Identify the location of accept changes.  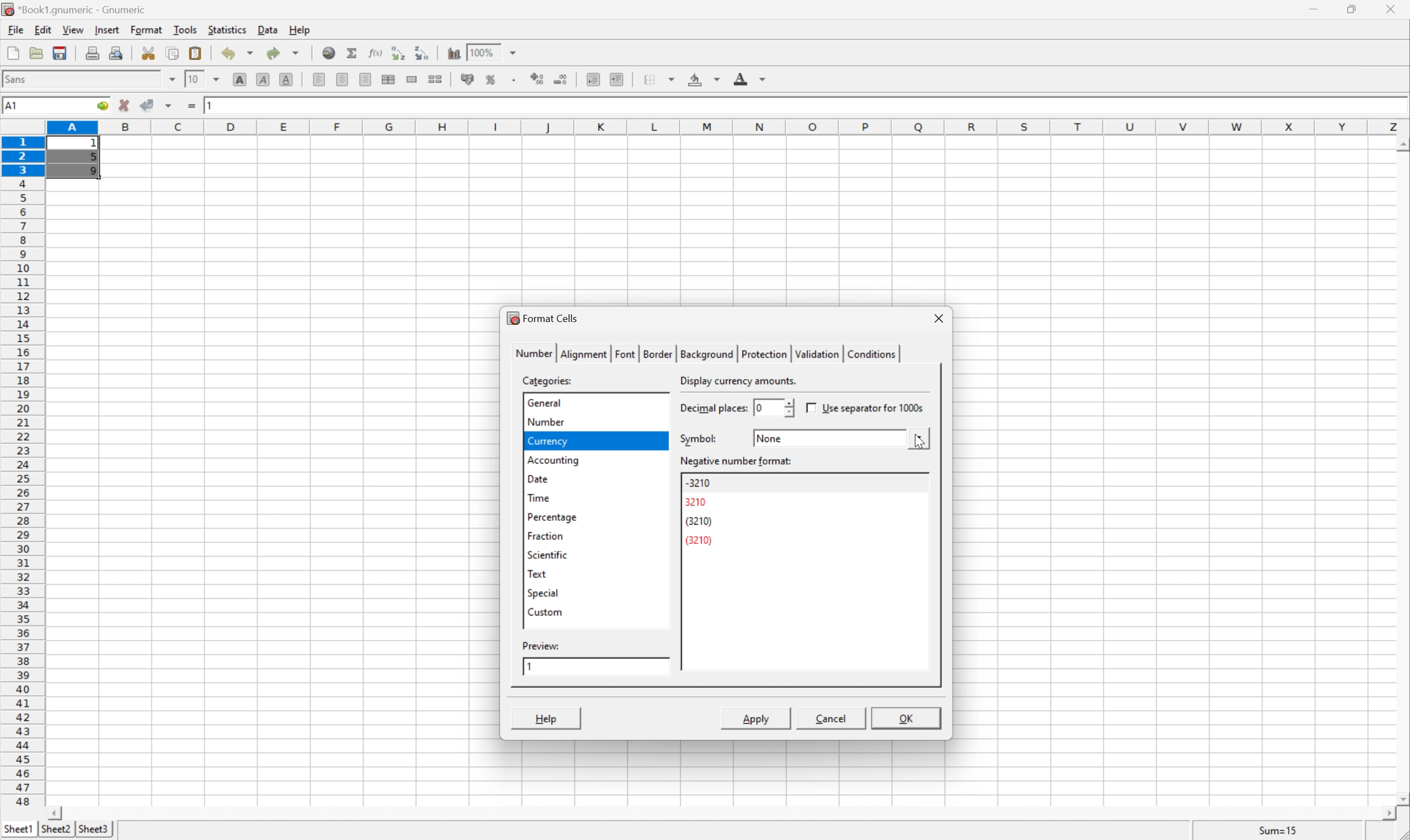
(148, 104).